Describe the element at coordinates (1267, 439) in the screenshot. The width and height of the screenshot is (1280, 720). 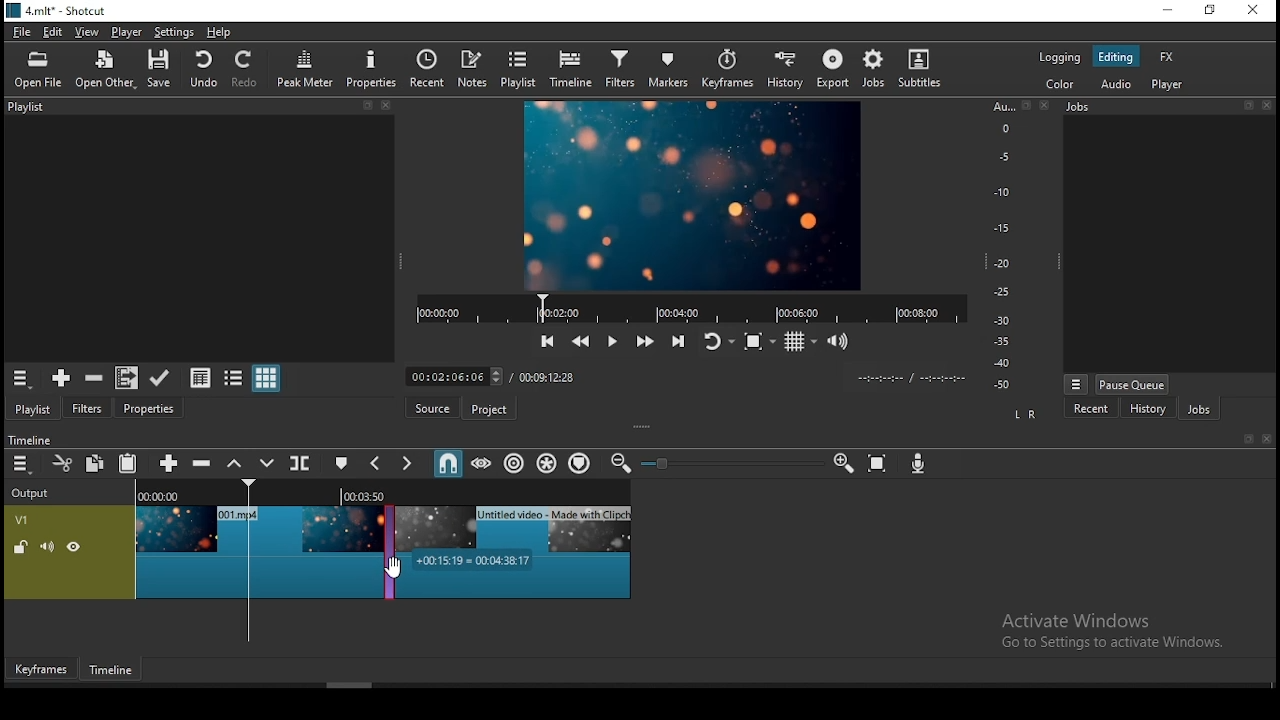
I see `close` at that location.